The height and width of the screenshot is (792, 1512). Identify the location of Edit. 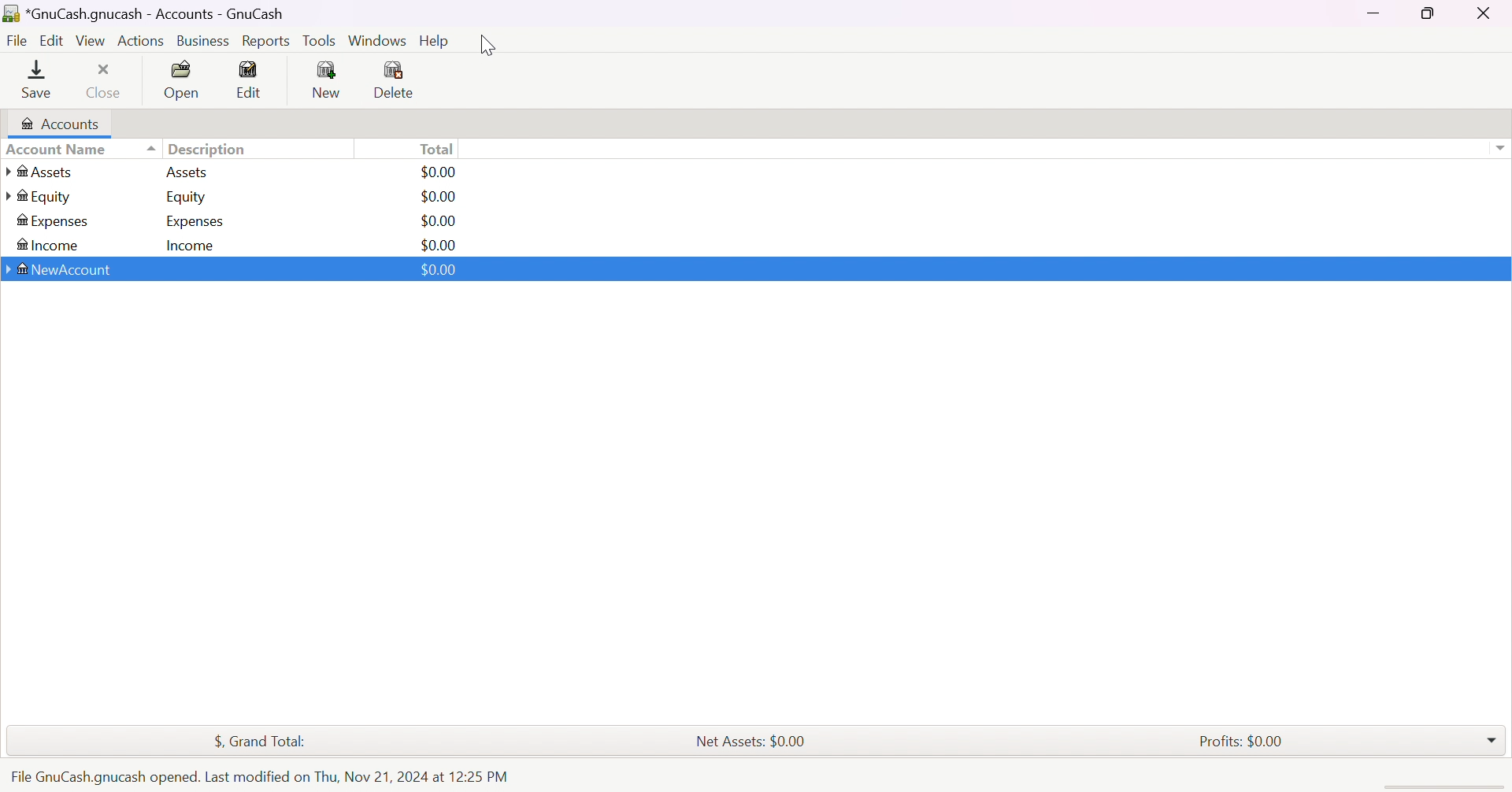
(249, 80).